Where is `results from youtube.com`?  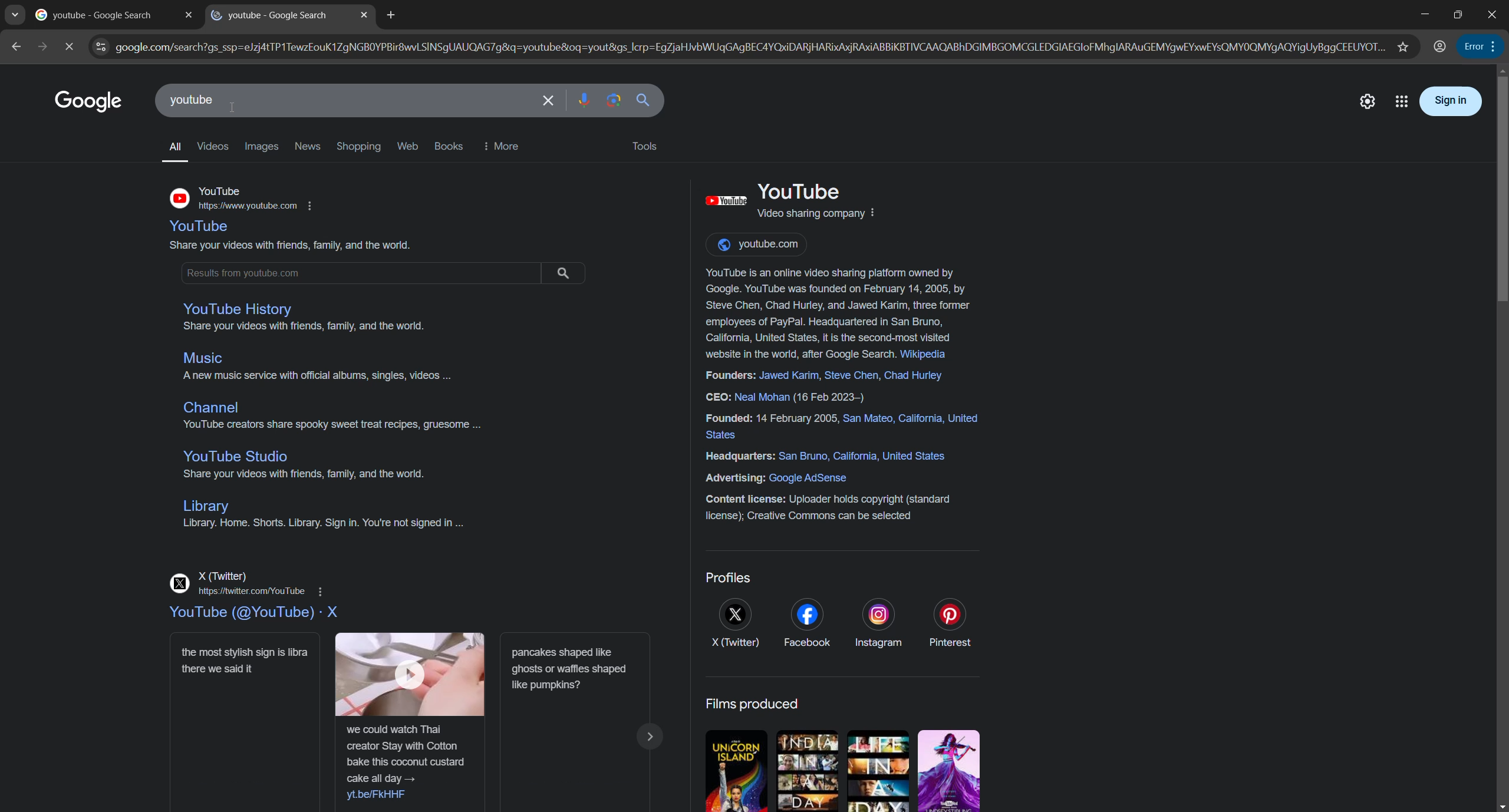 results from youtube.com is located at coordinates (386, 270).